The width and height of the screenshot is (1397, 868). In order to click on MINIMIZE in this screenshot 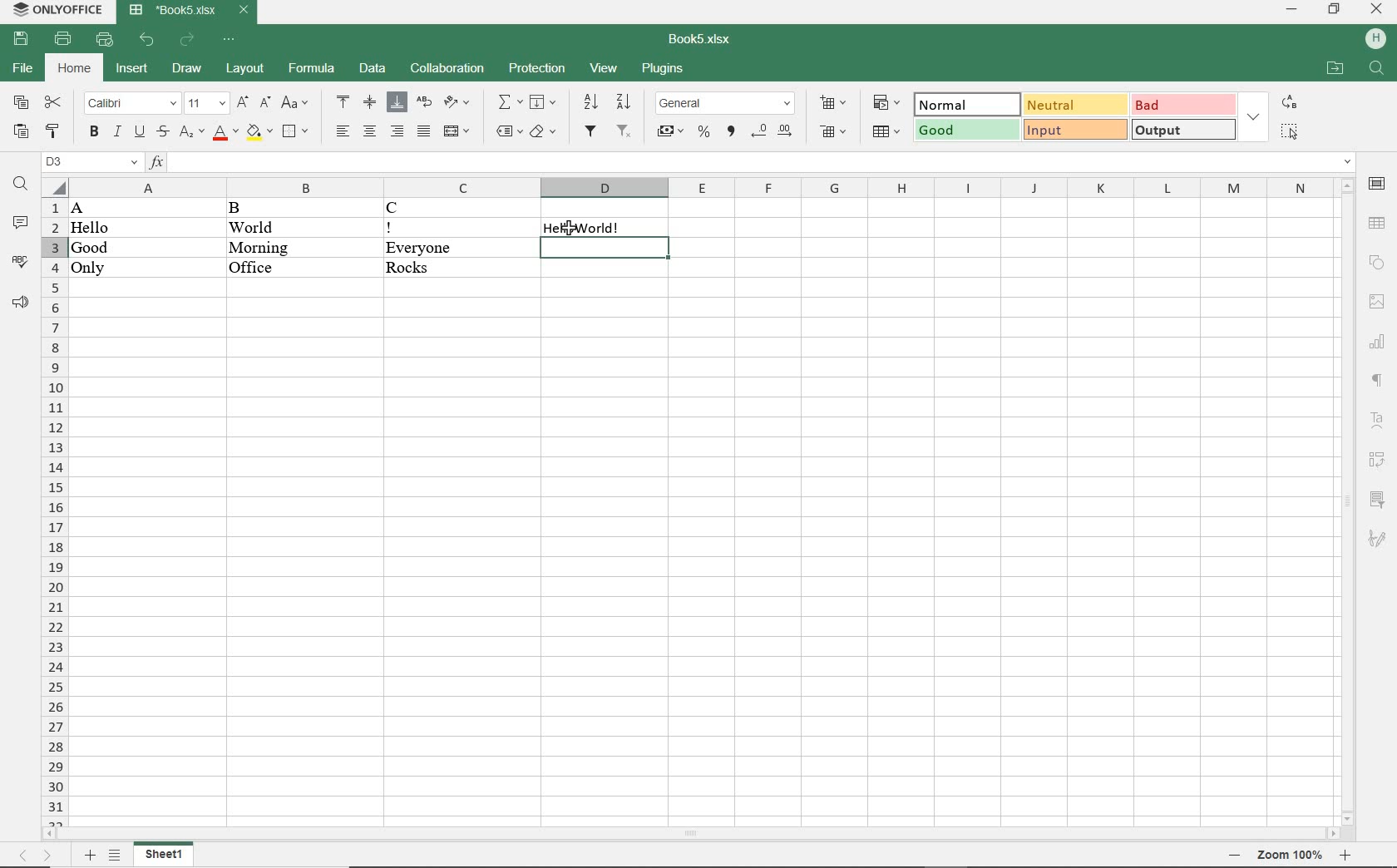, I will do `click(1291, 10)`.